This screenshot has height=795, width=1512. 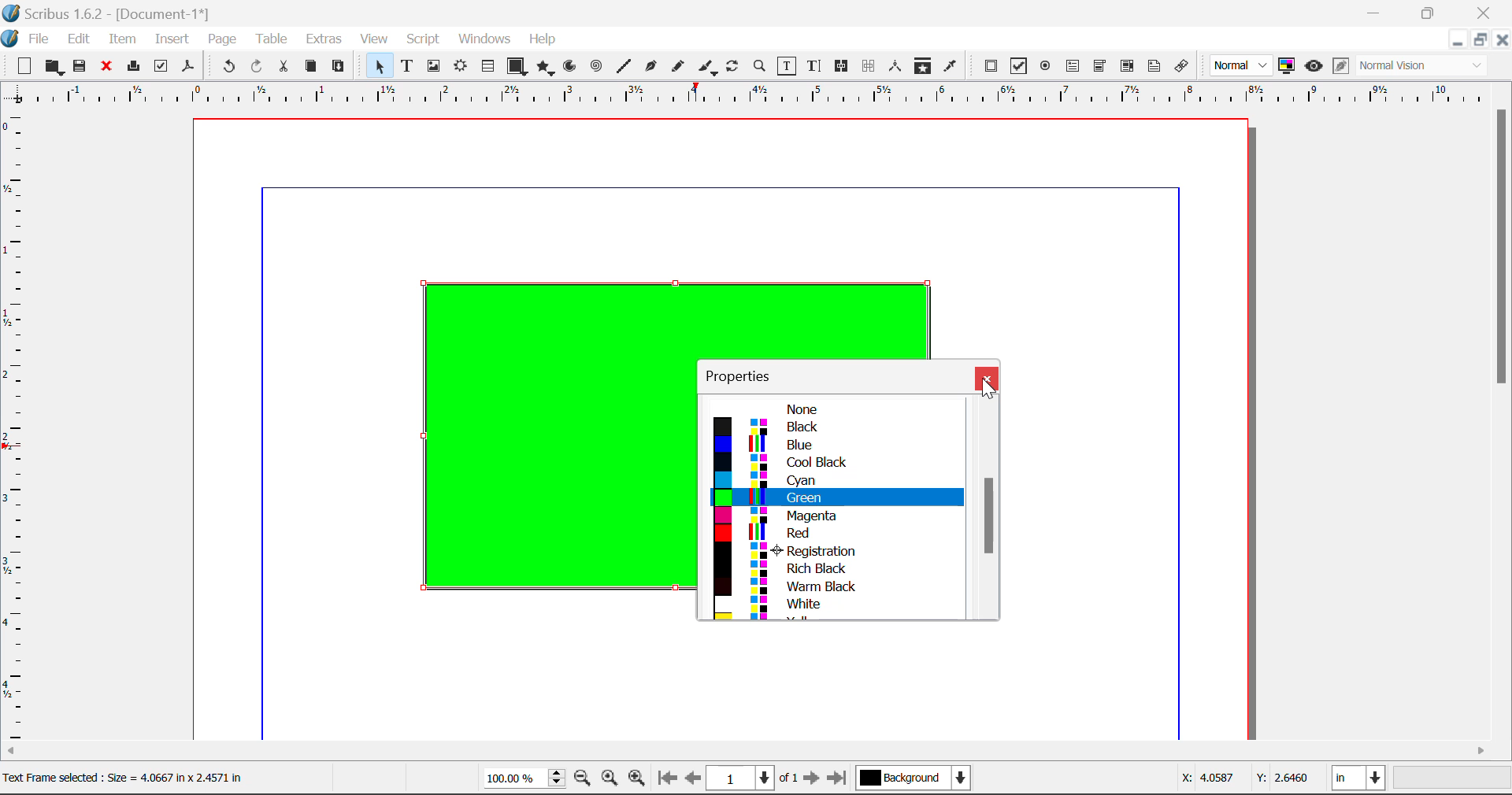 I want to click on Page, so click(x=221, y=39).